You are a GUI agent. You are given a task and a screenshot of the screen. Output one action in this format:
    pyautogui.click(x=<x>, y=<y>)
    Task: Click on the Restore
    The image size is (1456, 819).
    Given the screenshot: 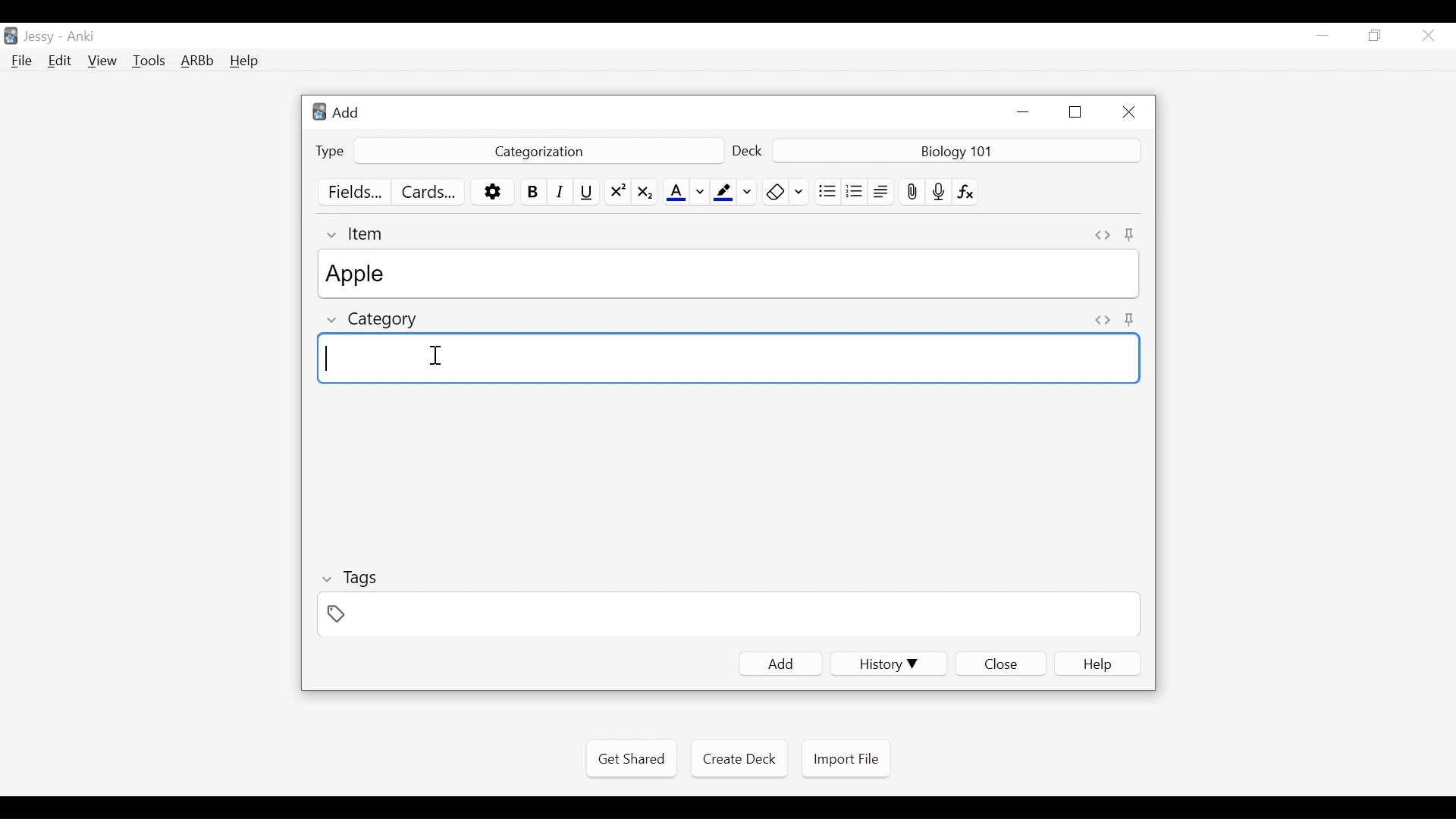 What is the action you would take?
    pyautogui.click(x=1376, y=36)
    